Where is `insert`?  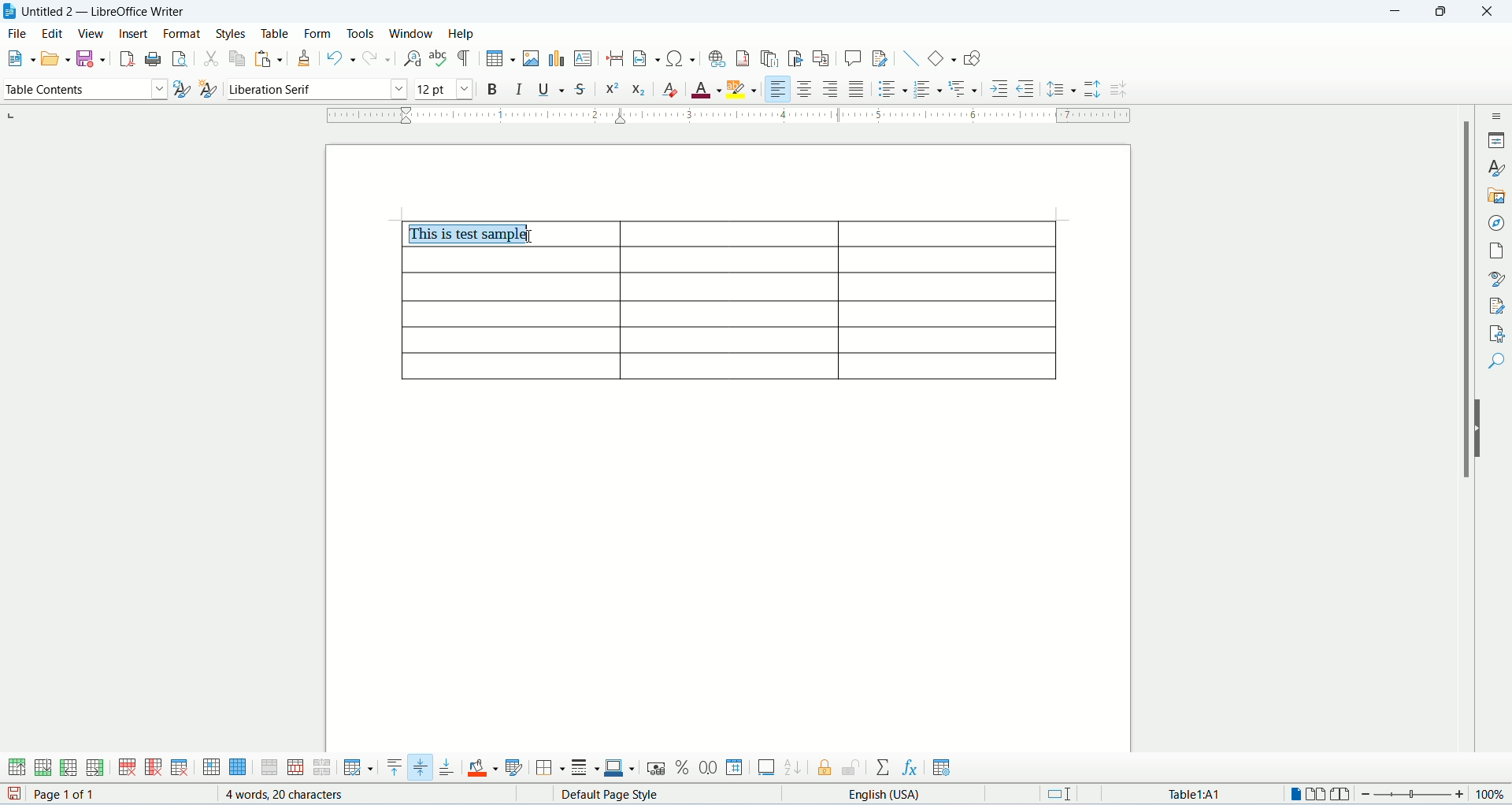 insert is located at coordinates (134, 34).